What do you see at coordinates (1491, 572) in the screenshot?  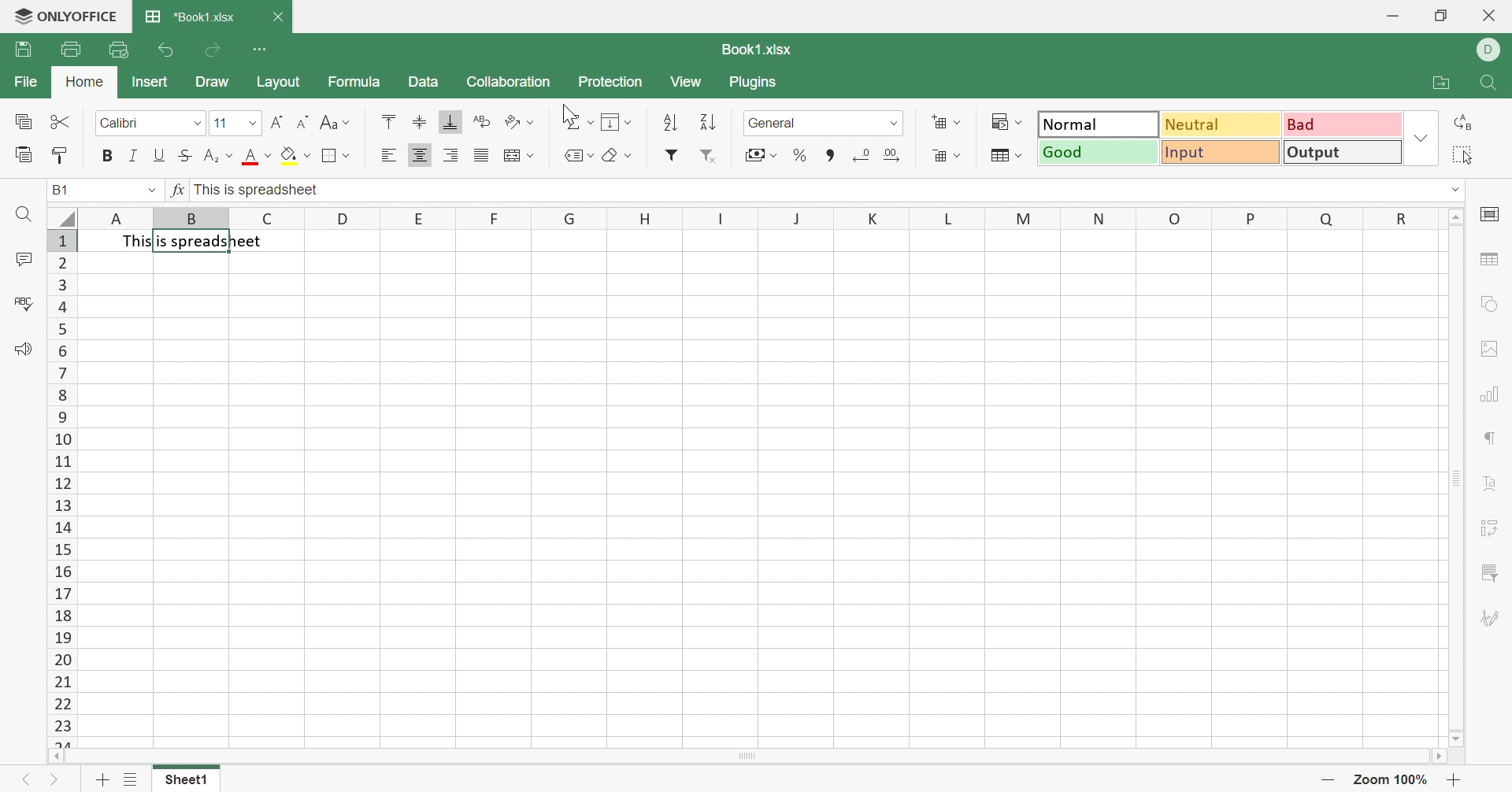 I see `Slicer settings` at bounding box center [1491, 572].